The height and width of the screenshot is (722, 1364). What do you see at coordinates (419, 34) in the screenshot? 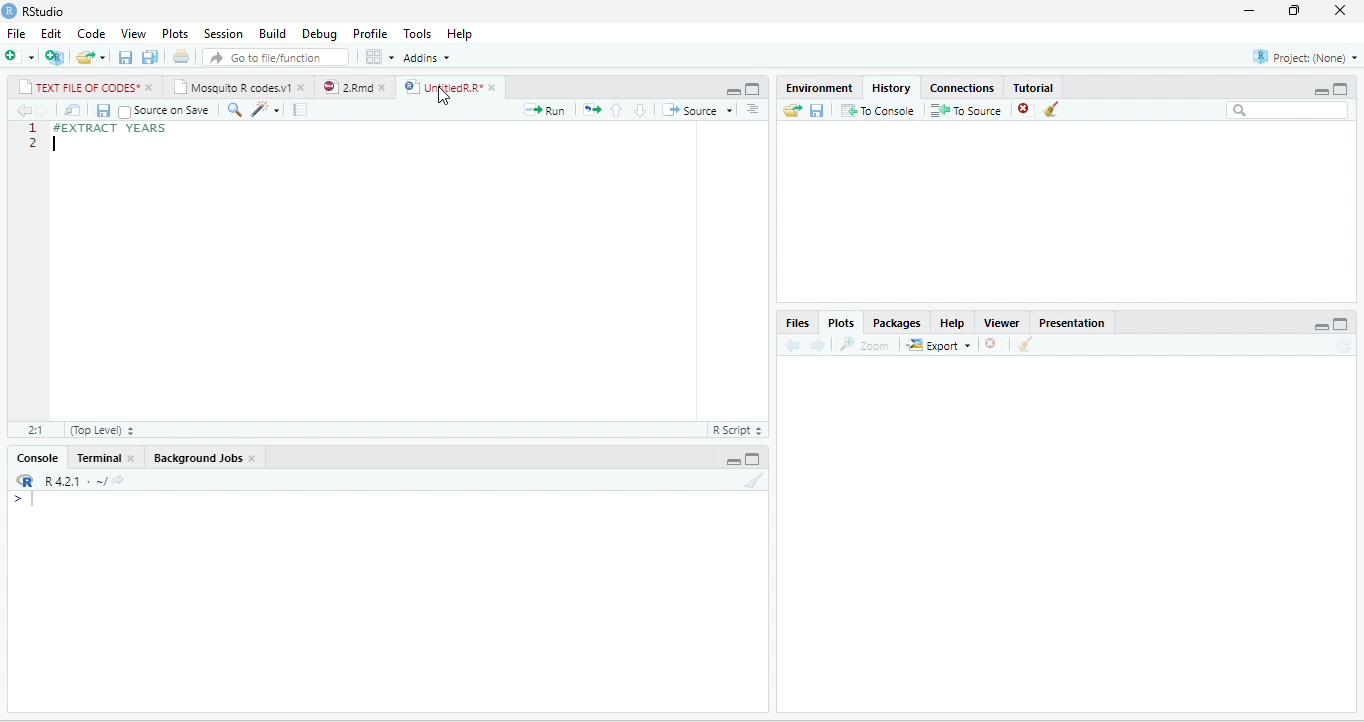
I see `Tools` at bounding box center [419, 34].